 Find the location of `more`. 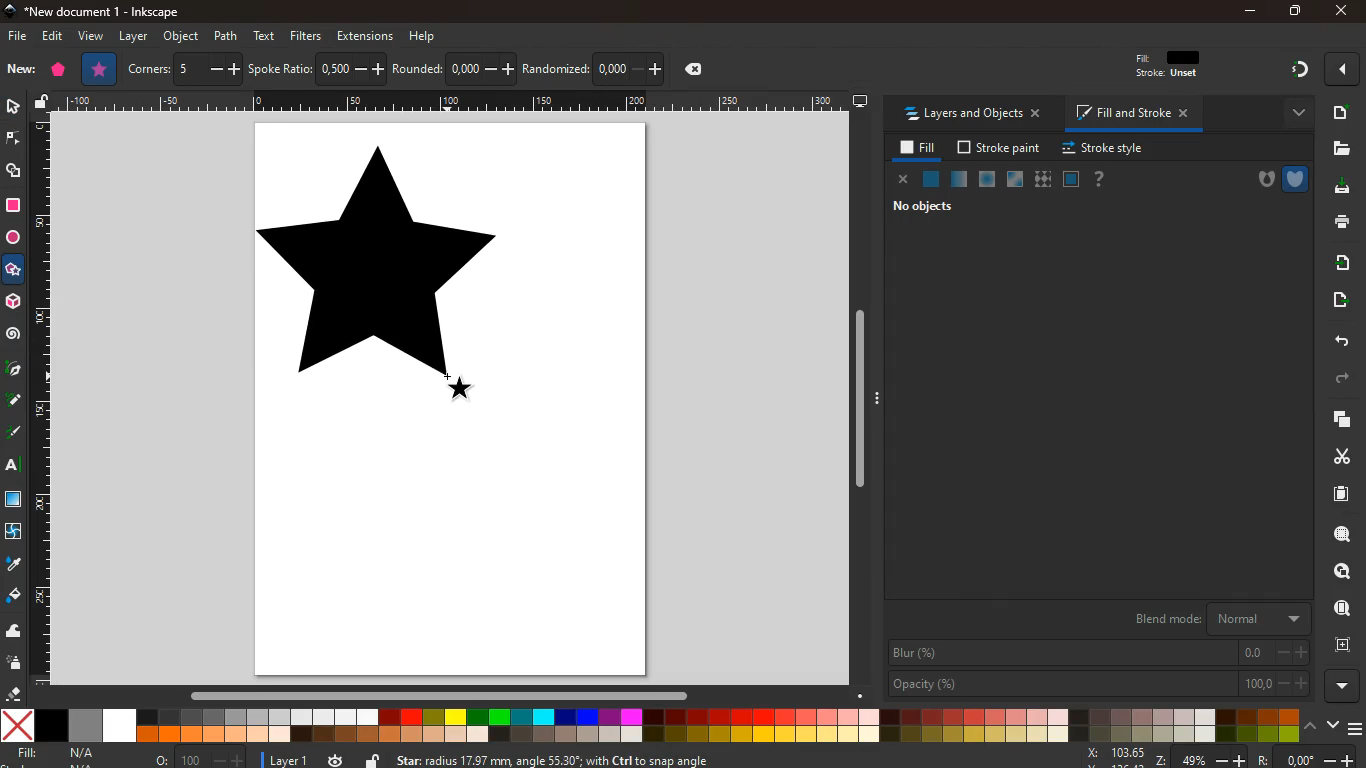

more is located at coordinates (1290, 114).